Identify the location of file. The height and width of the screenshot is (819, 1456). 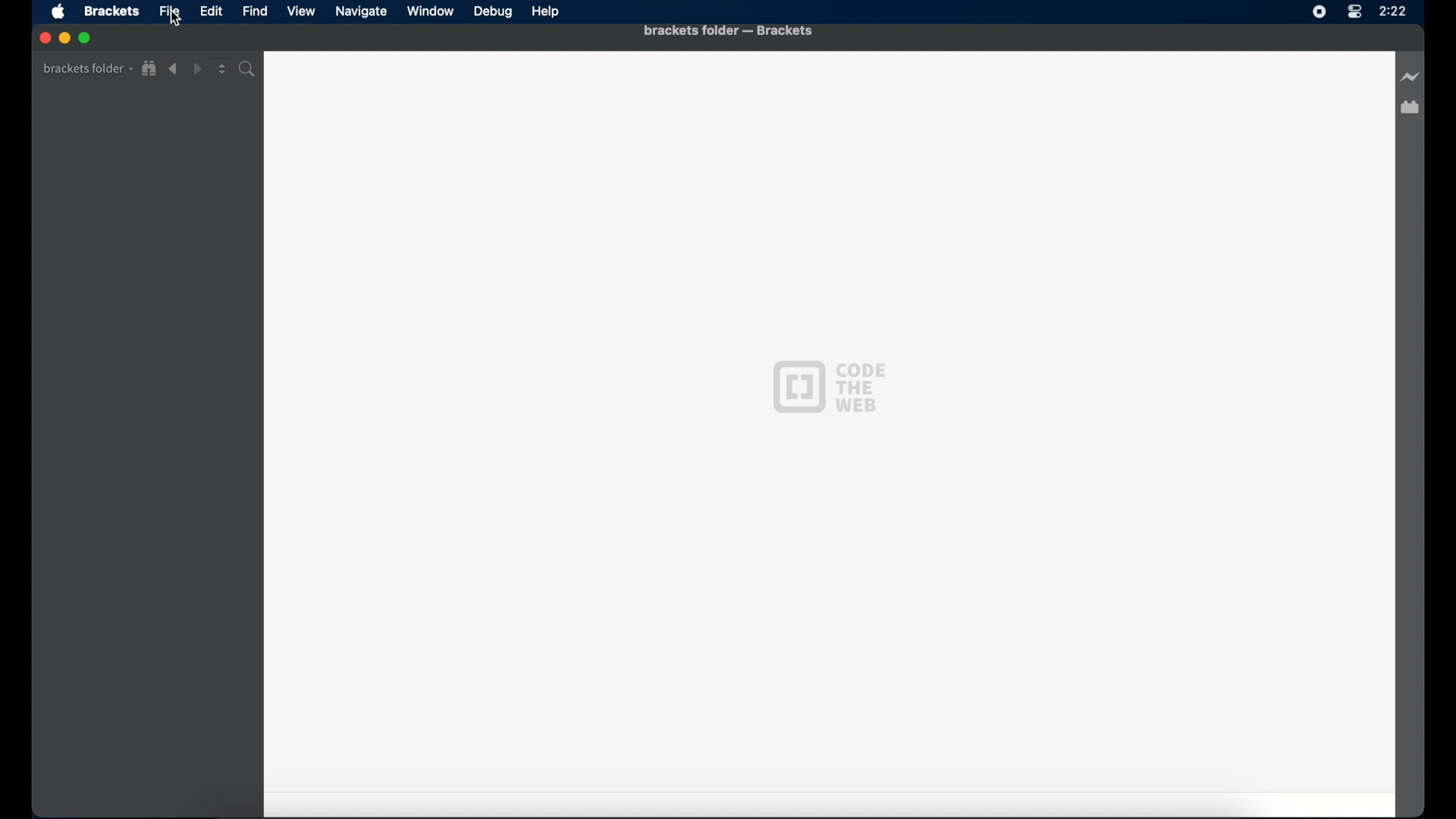
(170, 11).